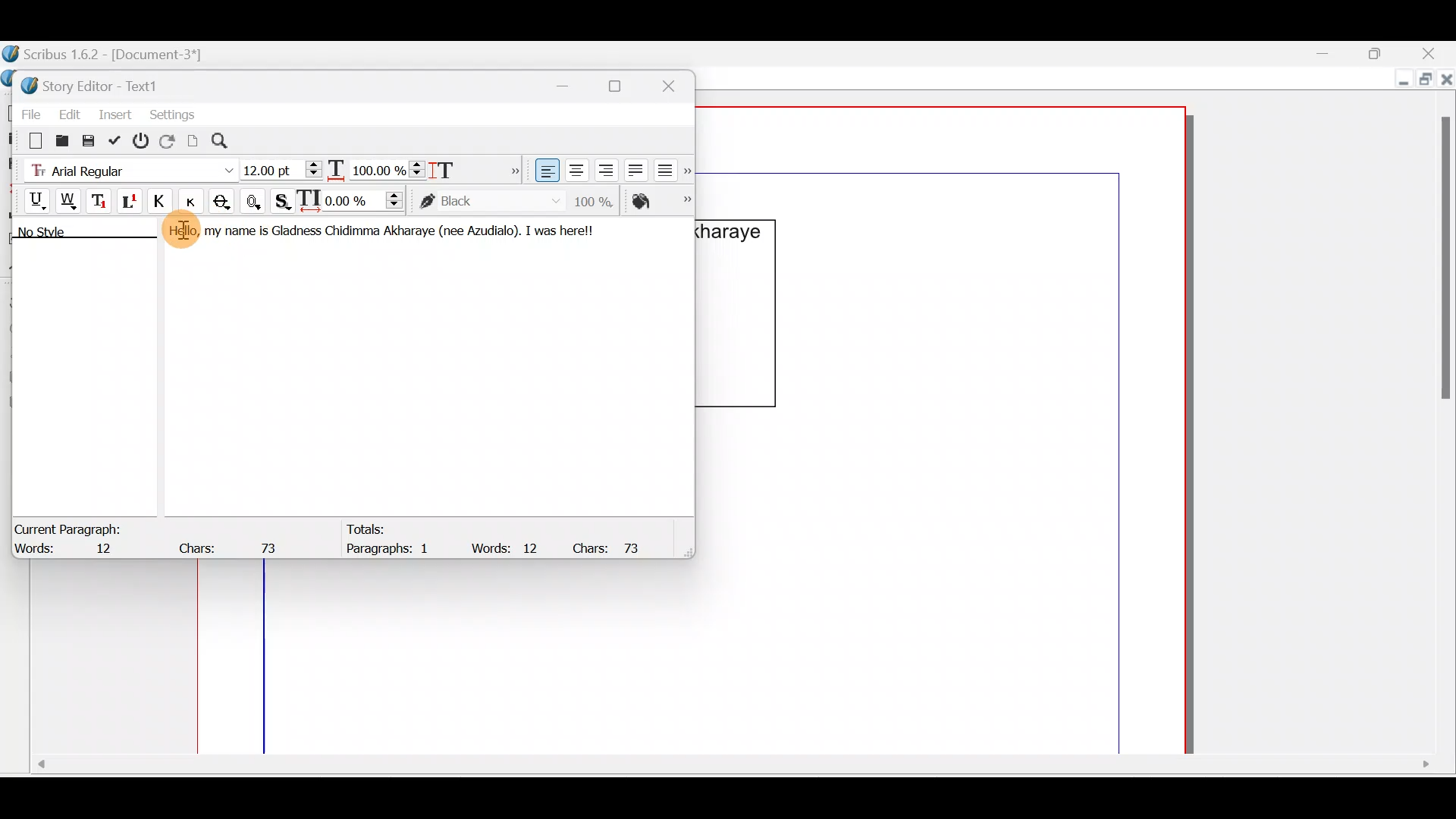 The height and width of the screenshot is (819, 1456). I want to click on Hello,, so click(179, 234).